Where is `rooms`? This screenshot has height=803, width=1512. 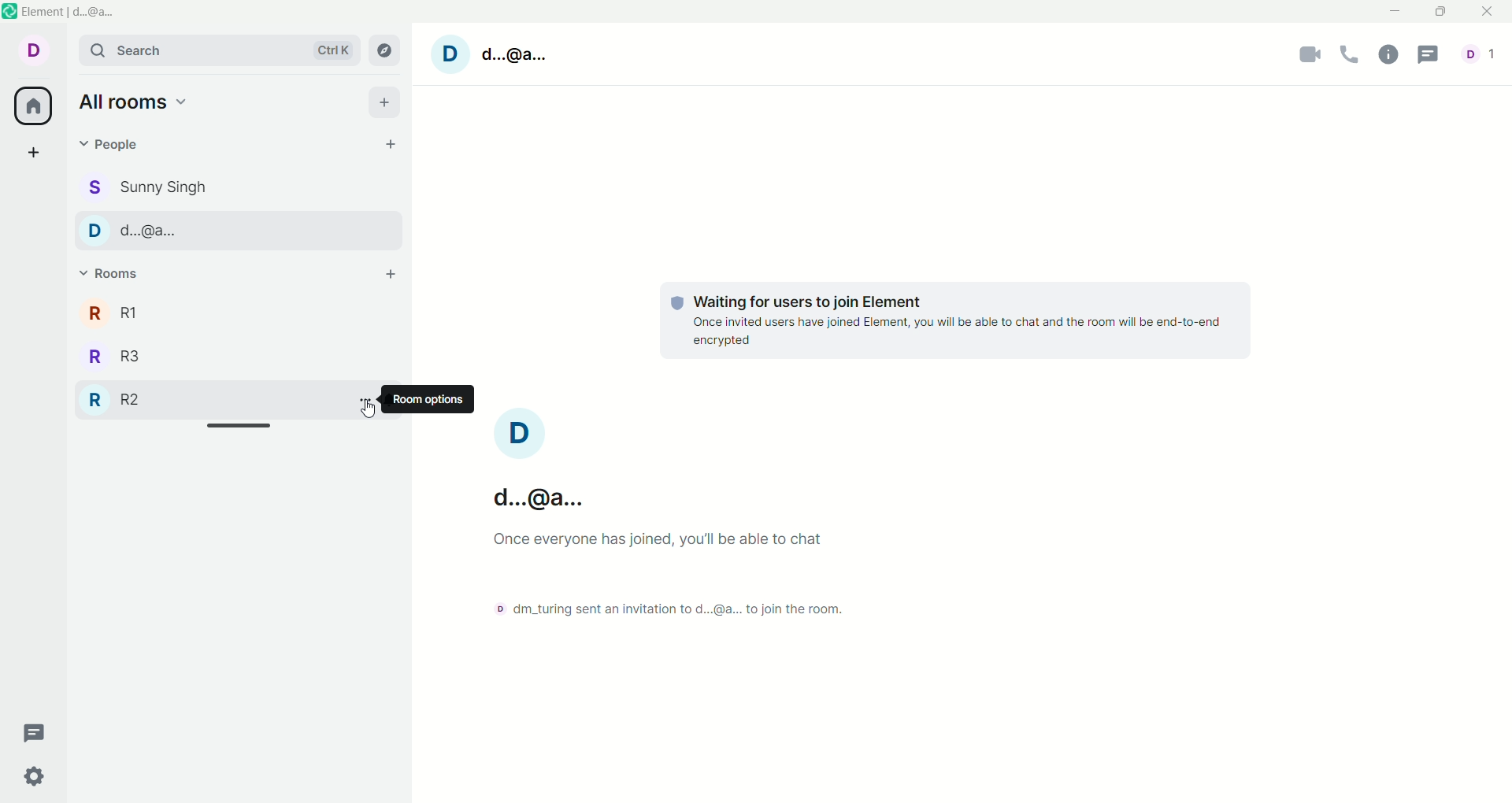
rooms is located at coordinates (115, 276).